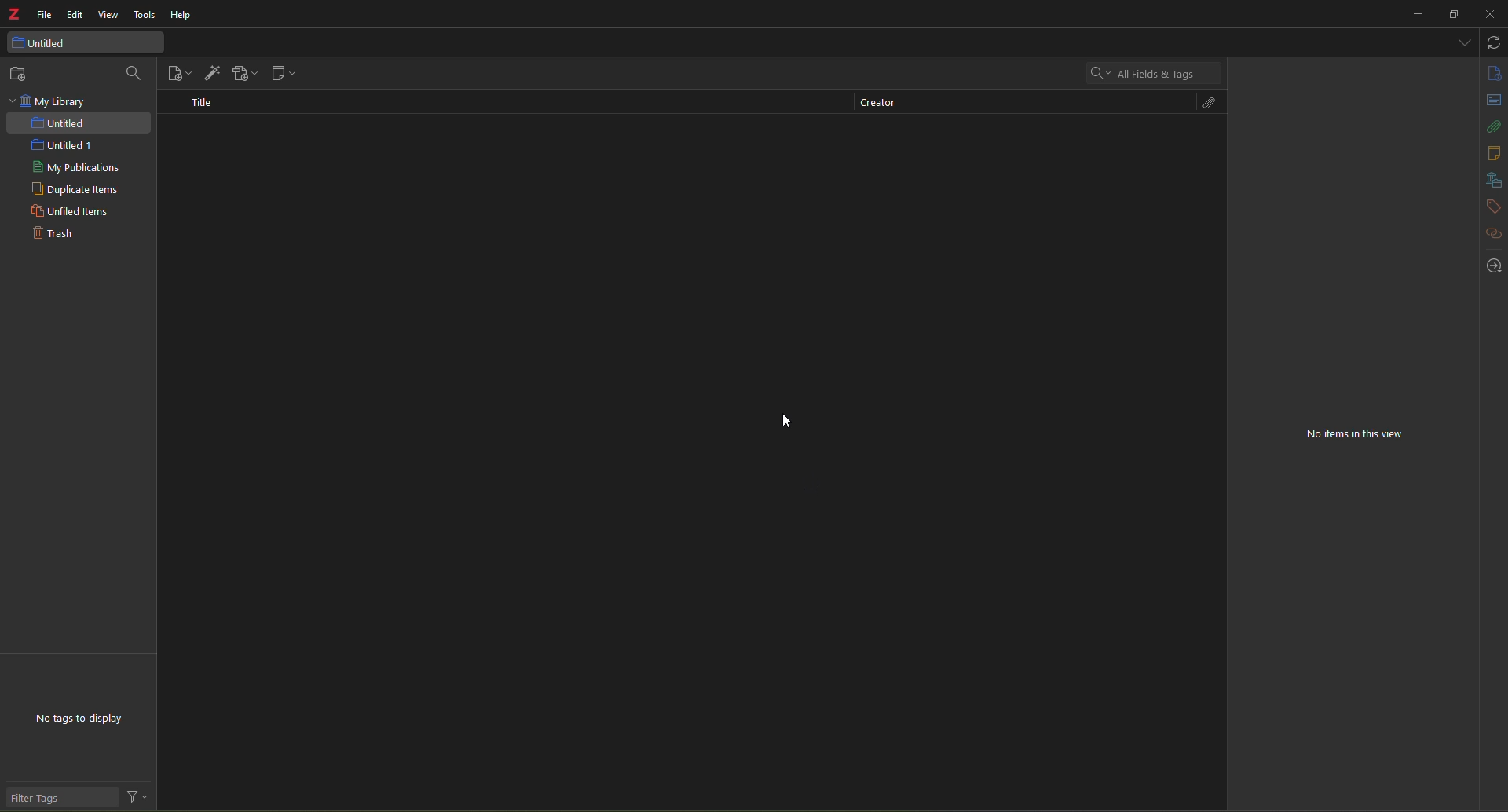  I want to click on notes, so click(1492, 153).